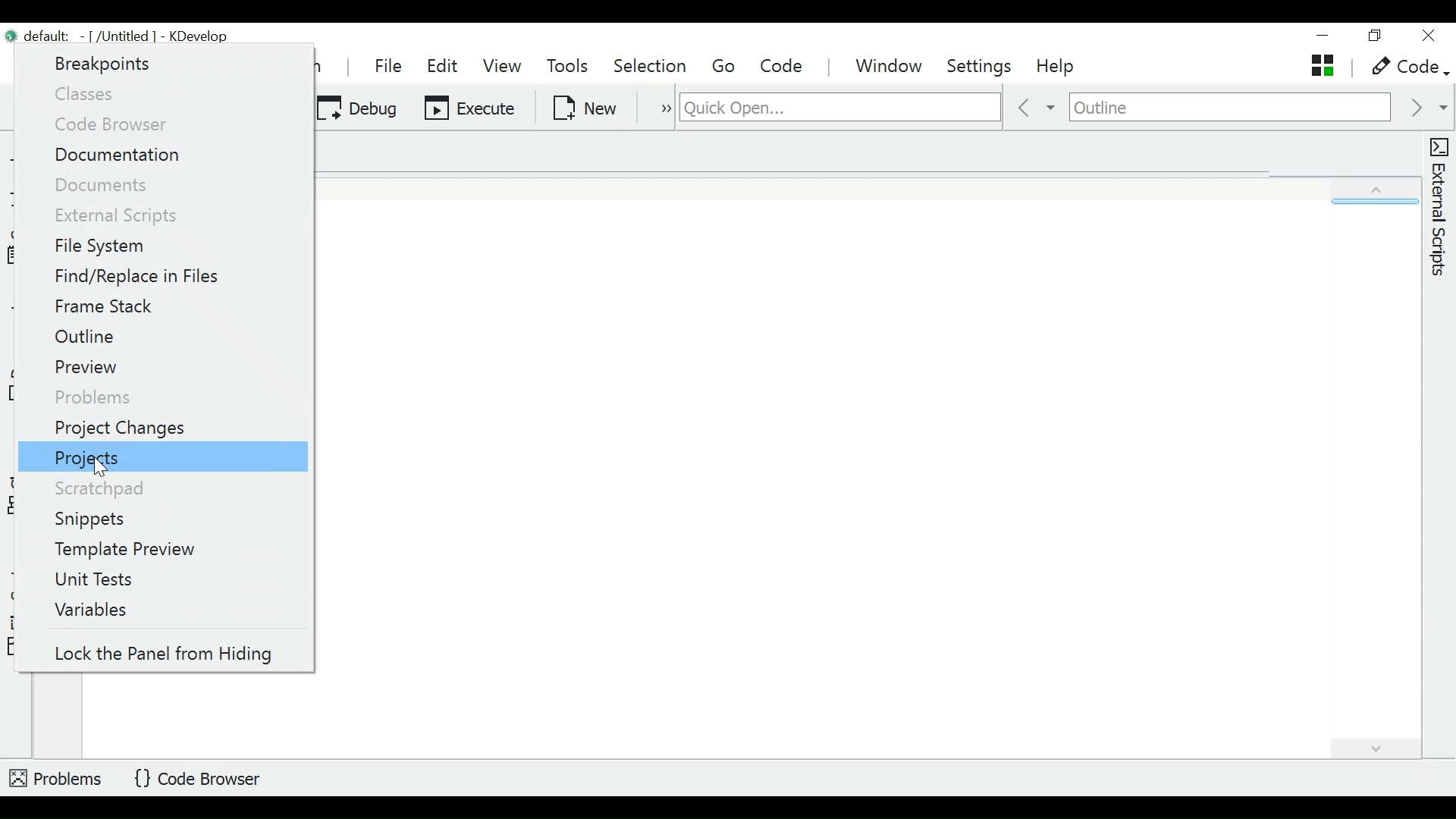 The width and height of the screenshot is (1456, 819). What do you see at coordinates (105, 246) in the screenshot?
I see `File System` at bounding box center [105, 246].